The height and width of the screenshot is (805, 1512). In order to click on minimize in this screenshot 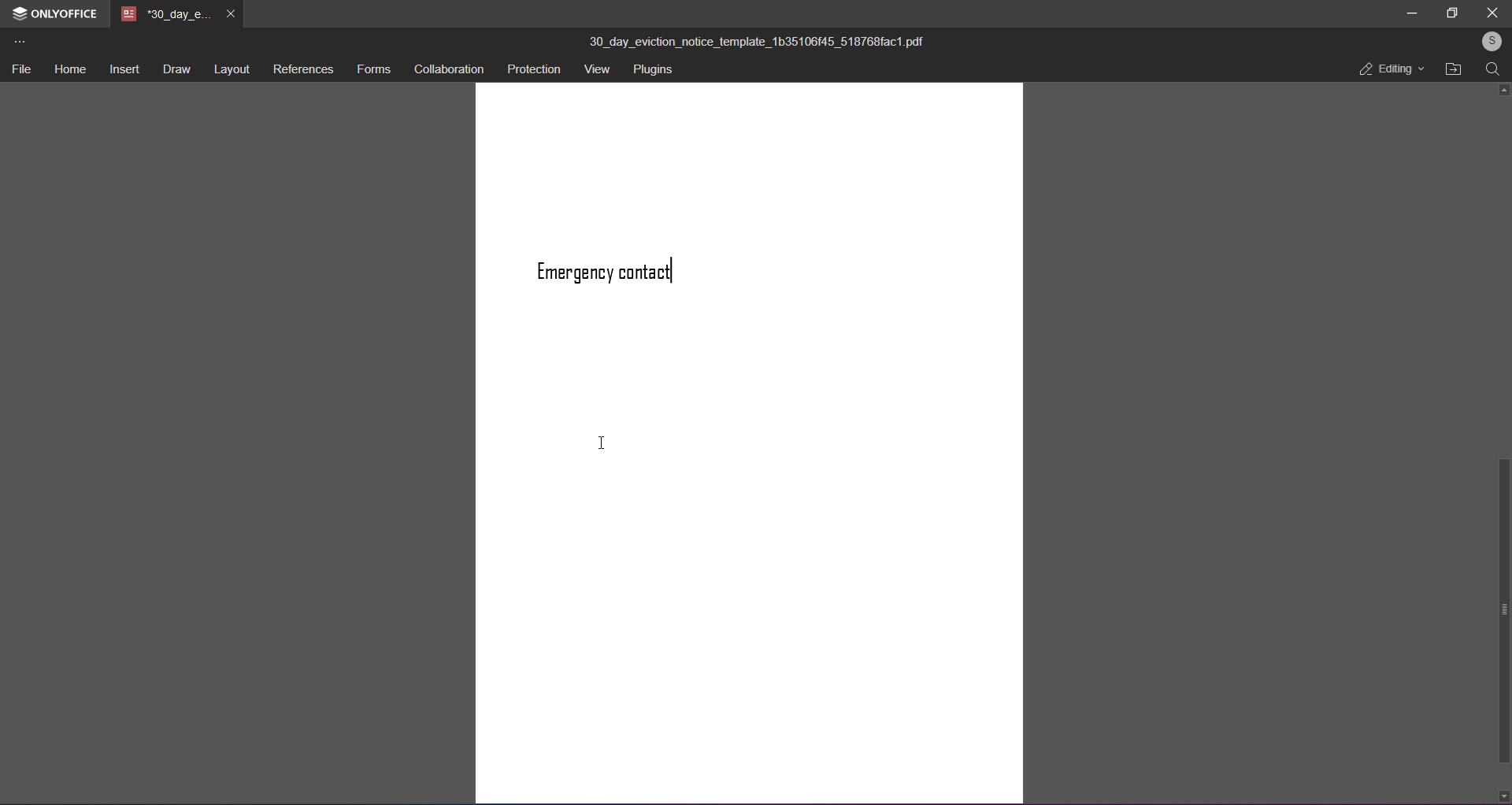, I will do `click(1412, 13)`.